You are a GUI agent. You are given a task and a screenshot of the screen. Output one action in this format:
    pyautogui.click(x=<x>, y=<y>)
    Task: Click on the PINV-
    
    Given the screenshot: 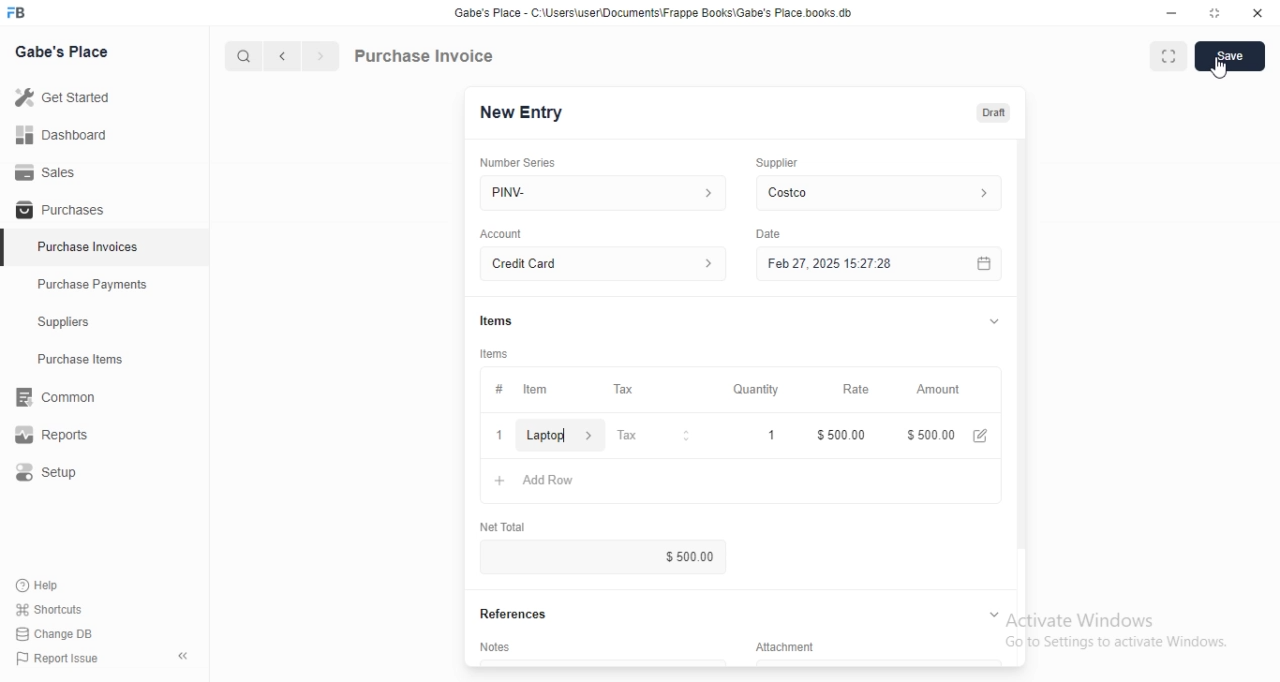 What is the action you would take?
    pyautogui.click(x=603, y=193)
    